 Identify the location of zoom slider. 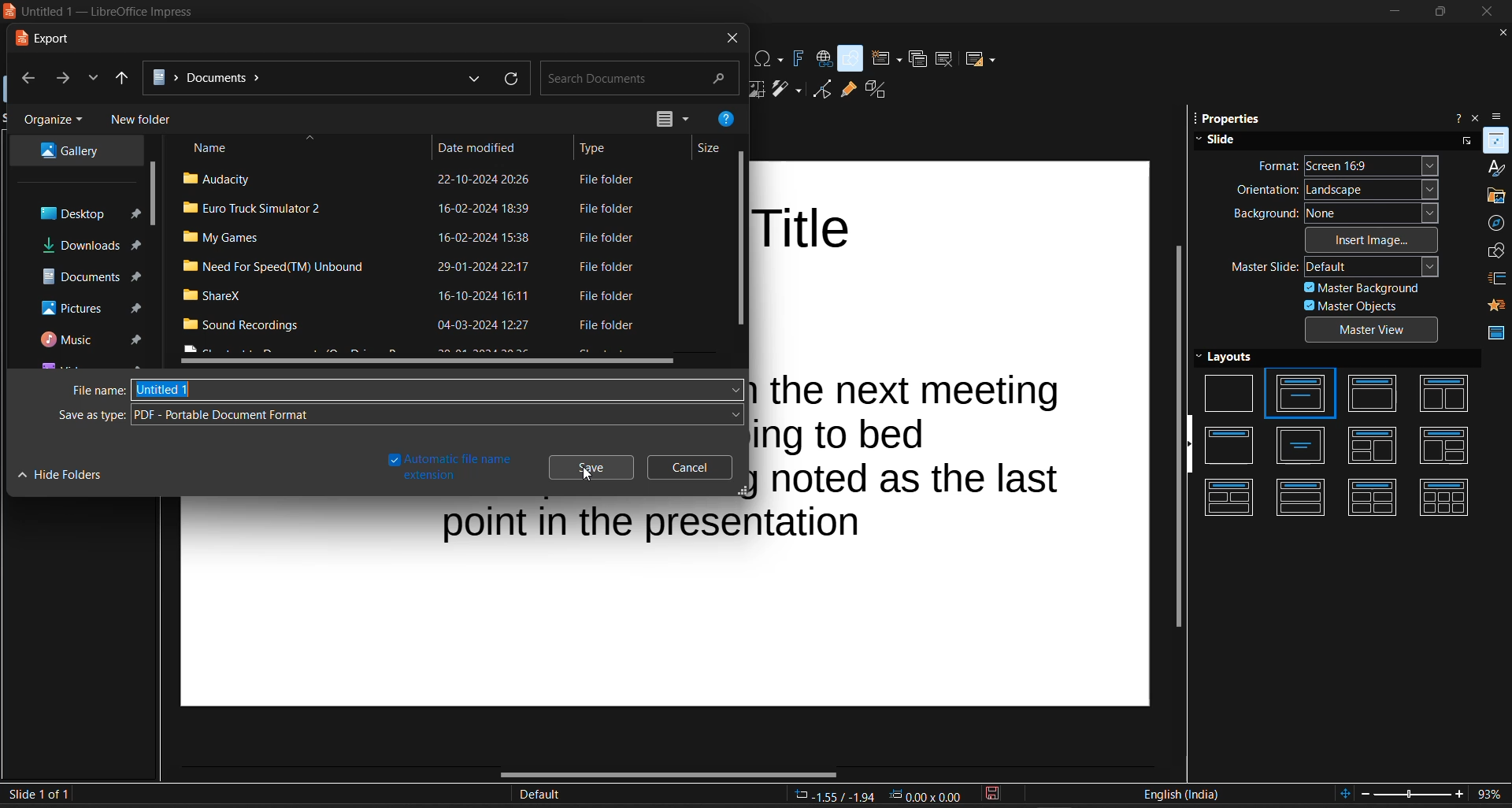
(1412, 795).